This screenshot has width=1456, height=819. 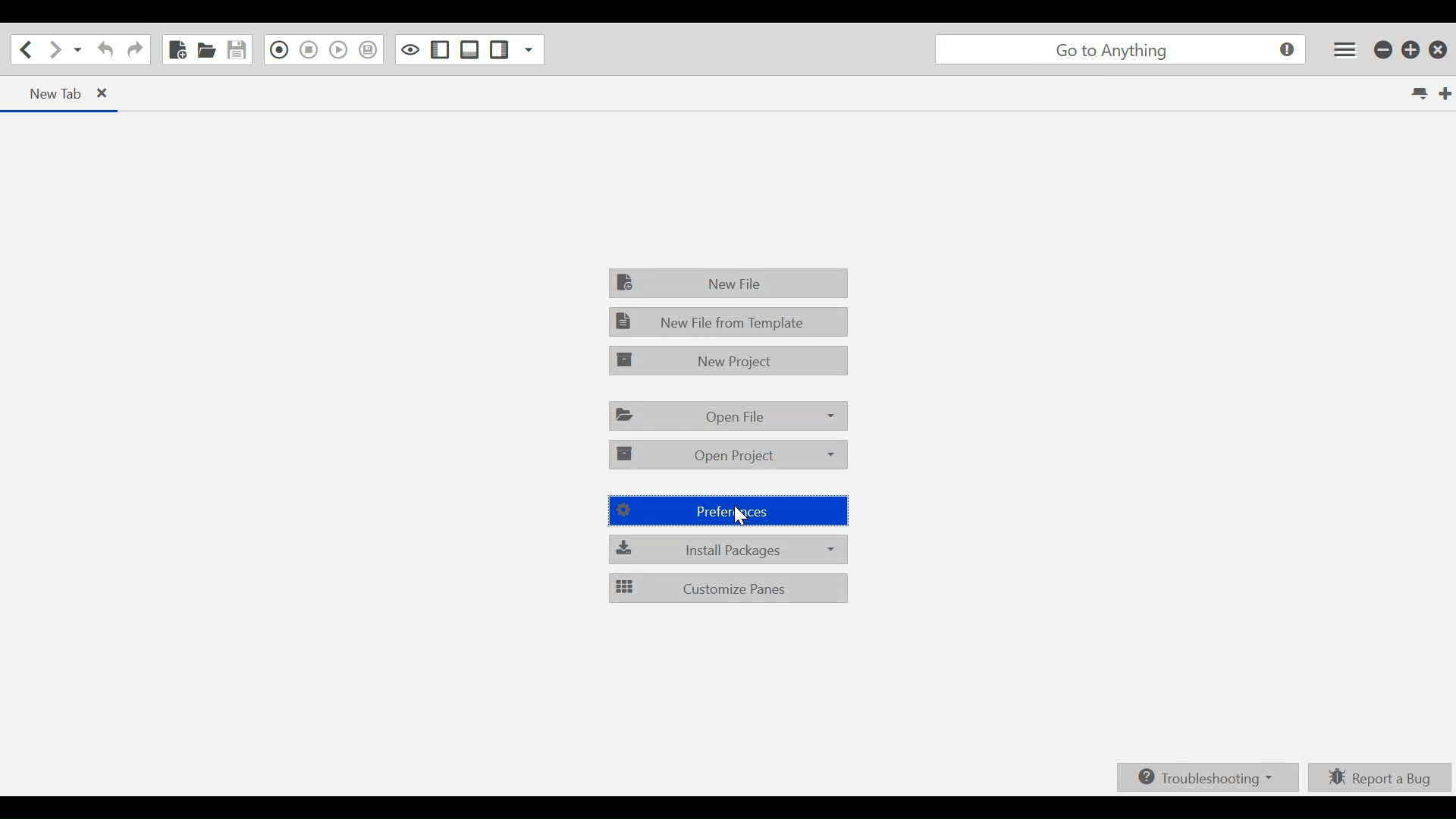 I want to click on Play Last Macro, so click(x=338, y=49).